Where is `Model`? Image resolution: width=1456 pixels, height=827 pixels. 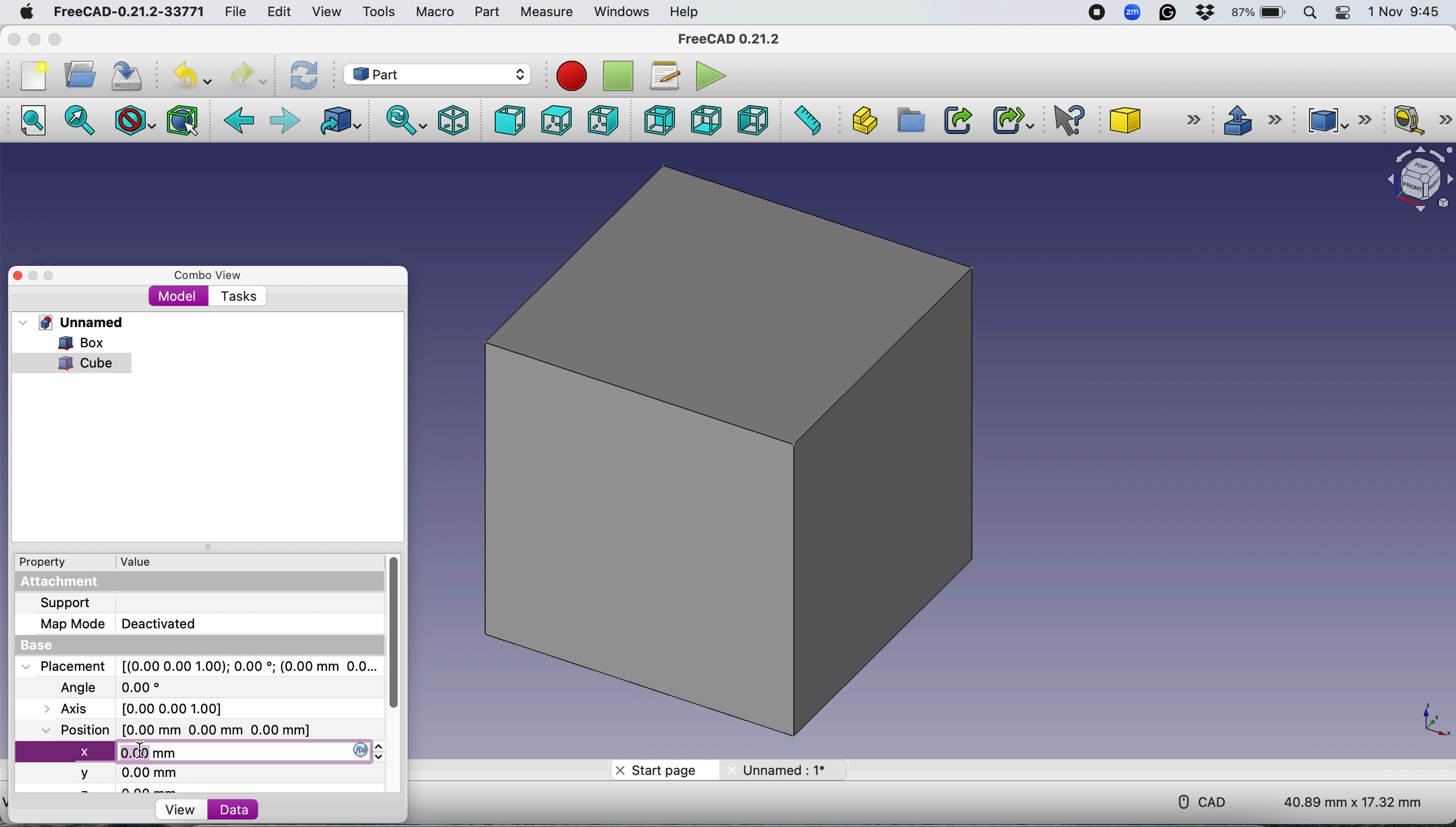
Model is located at coordinates (178, 297).